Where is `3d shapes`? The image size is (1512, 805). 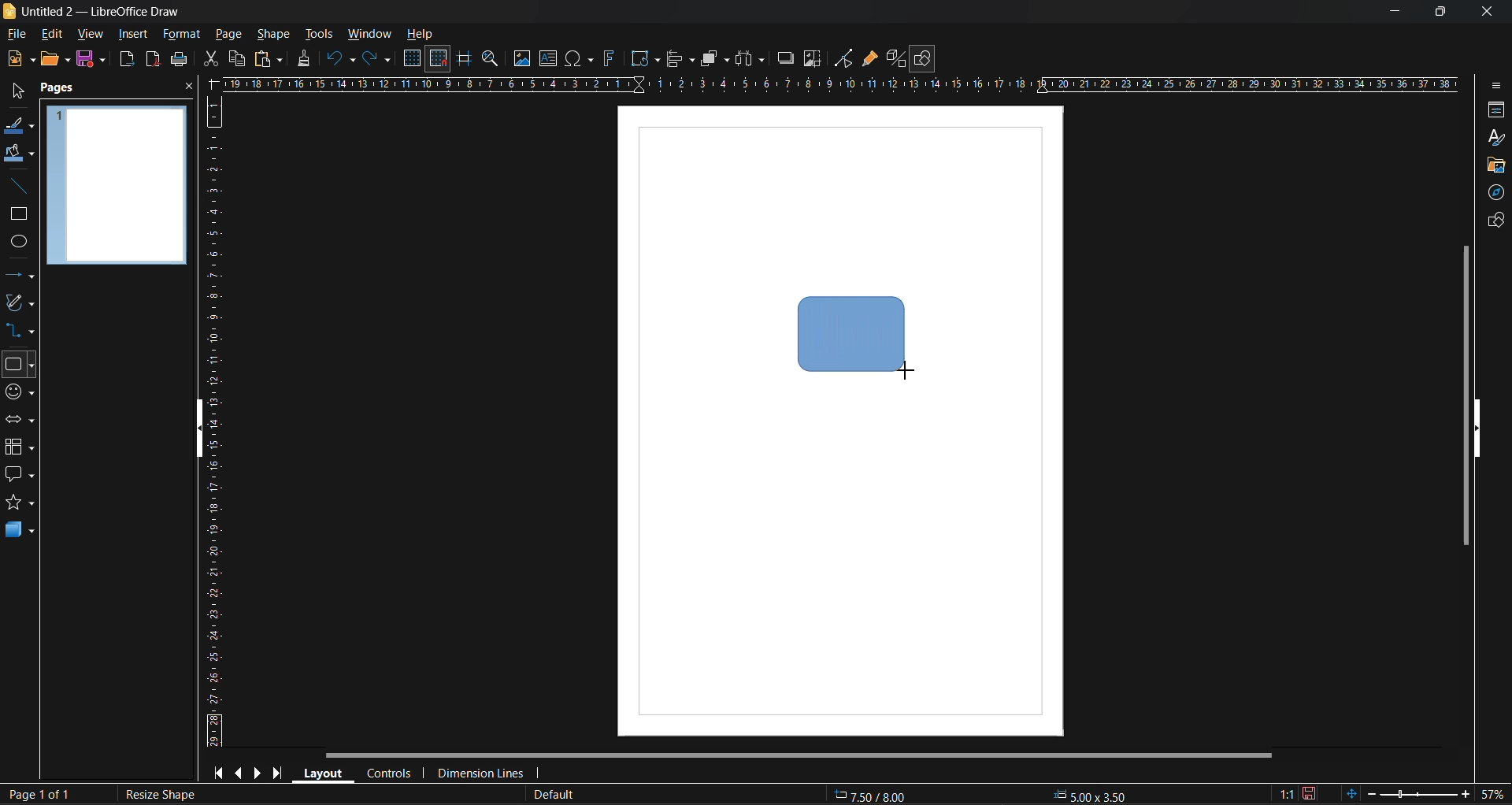 3d shapes is located at coordinates (20, 529).